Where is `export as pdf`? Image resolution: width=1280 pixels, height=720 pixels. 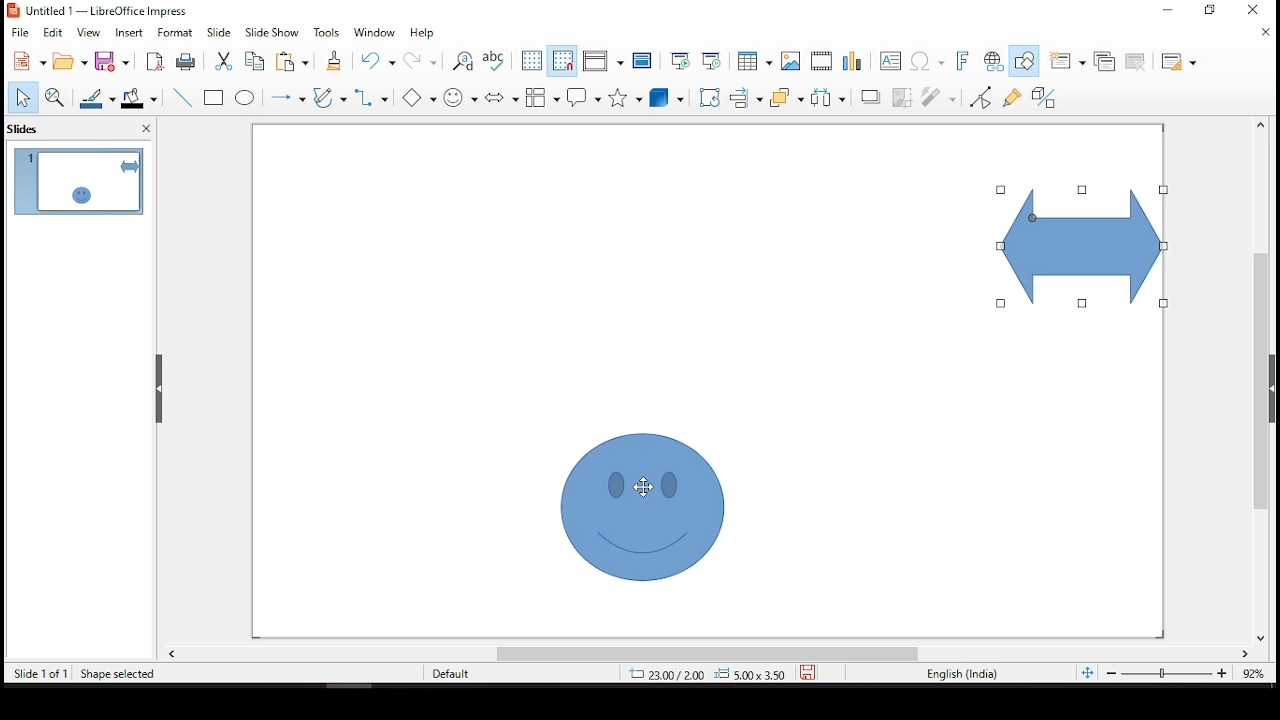
export as pdf is located at coordinates (154, 62).